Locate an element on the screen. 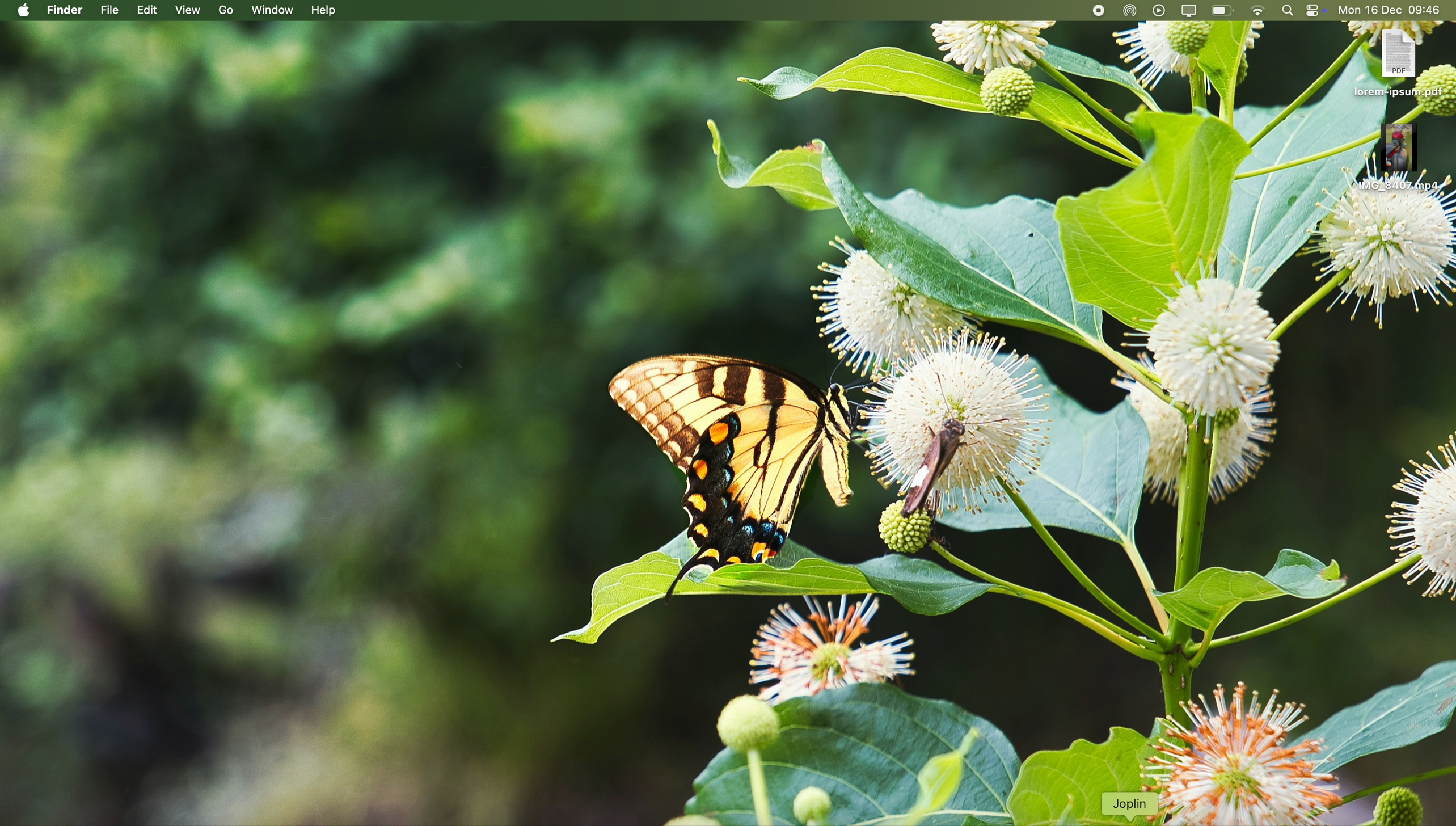 Image resolution: width=1456 pixels, height=826 pixels. help is located at coordinates (322, 10).